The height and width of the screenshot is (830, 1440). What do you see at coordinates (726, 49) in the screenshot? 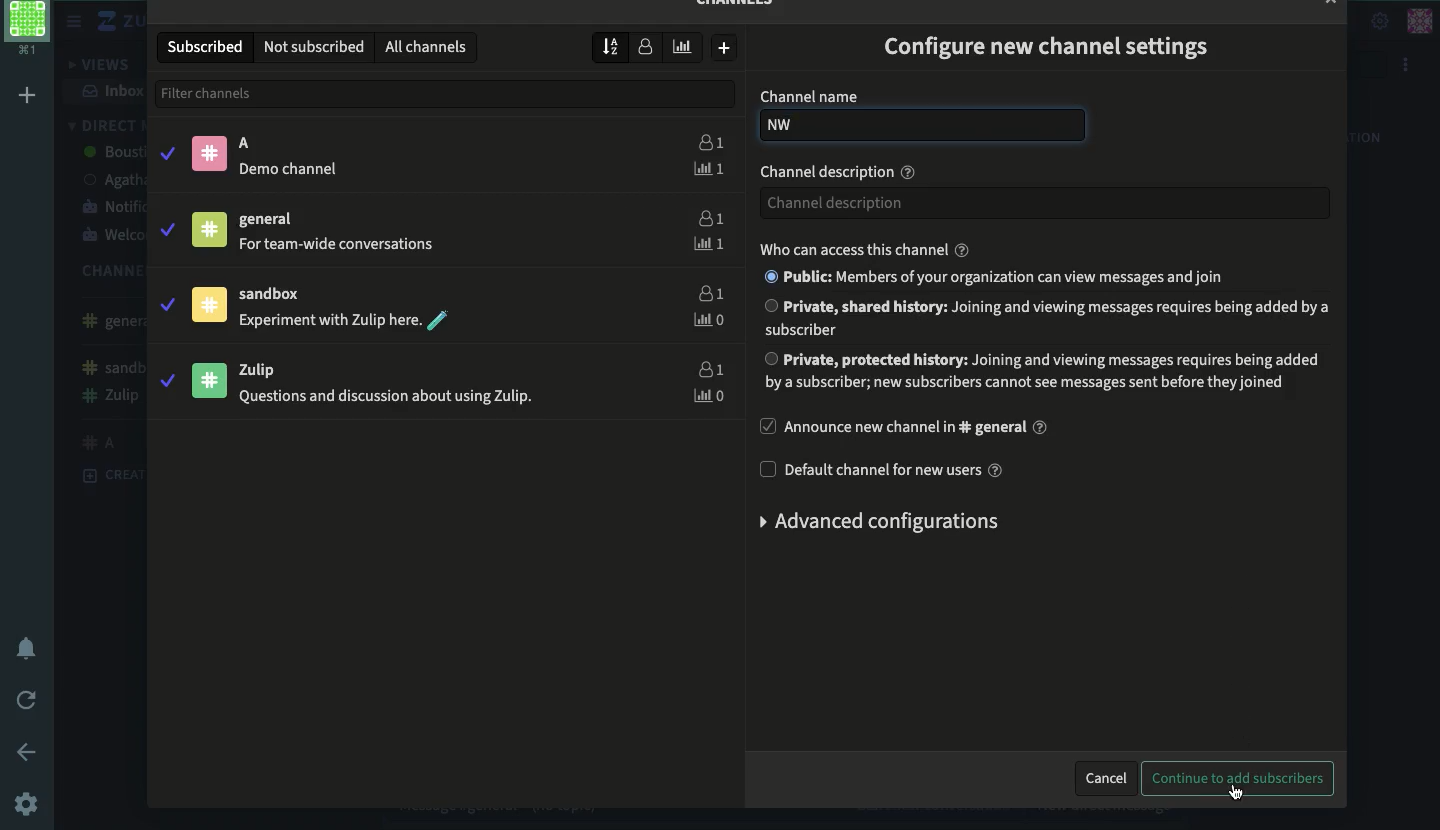
I see `create new channel` at bounding box center [726, 49].